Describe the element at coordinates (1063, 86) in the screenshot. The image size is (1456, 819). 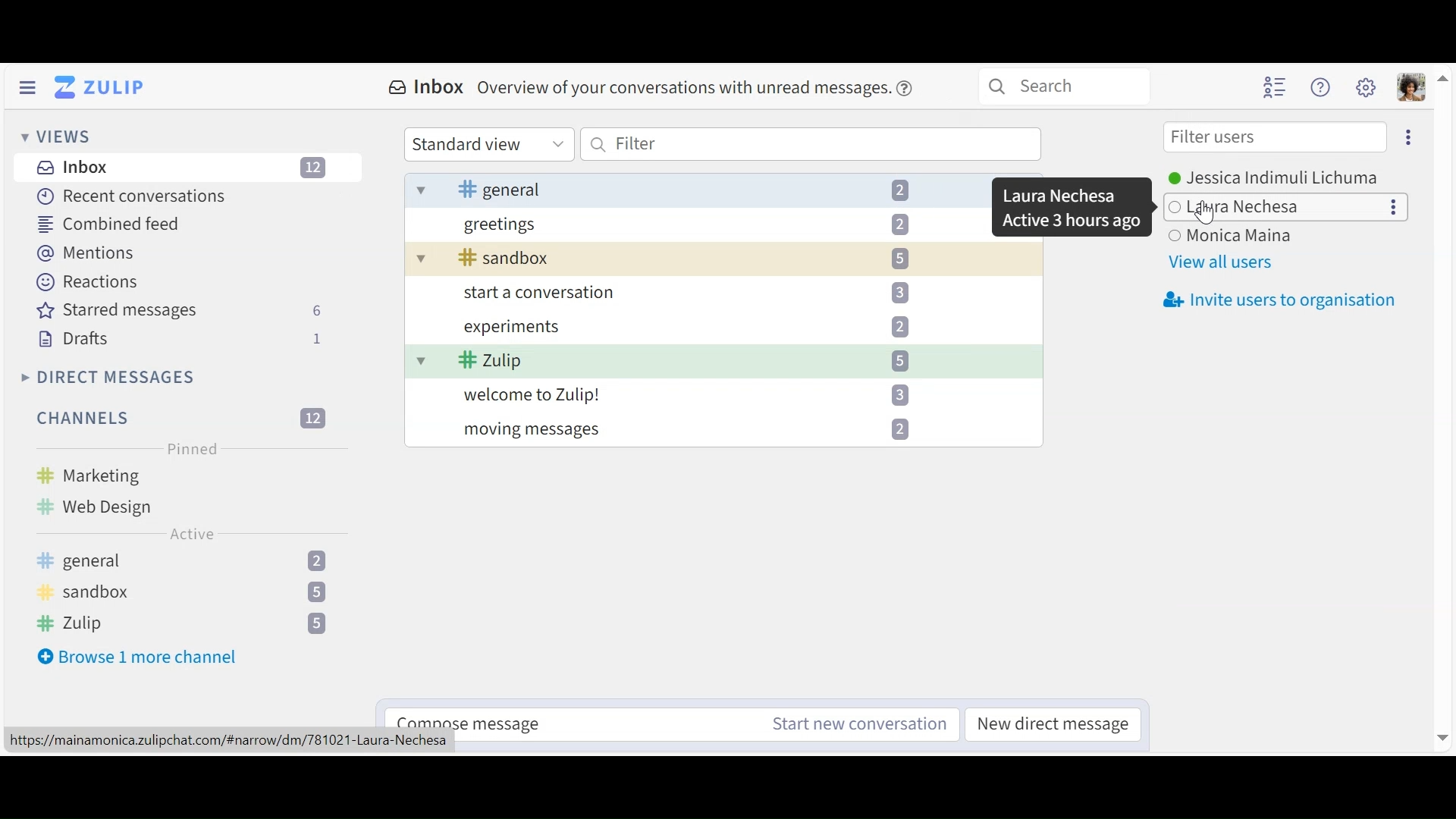
I see `Search` at that location.